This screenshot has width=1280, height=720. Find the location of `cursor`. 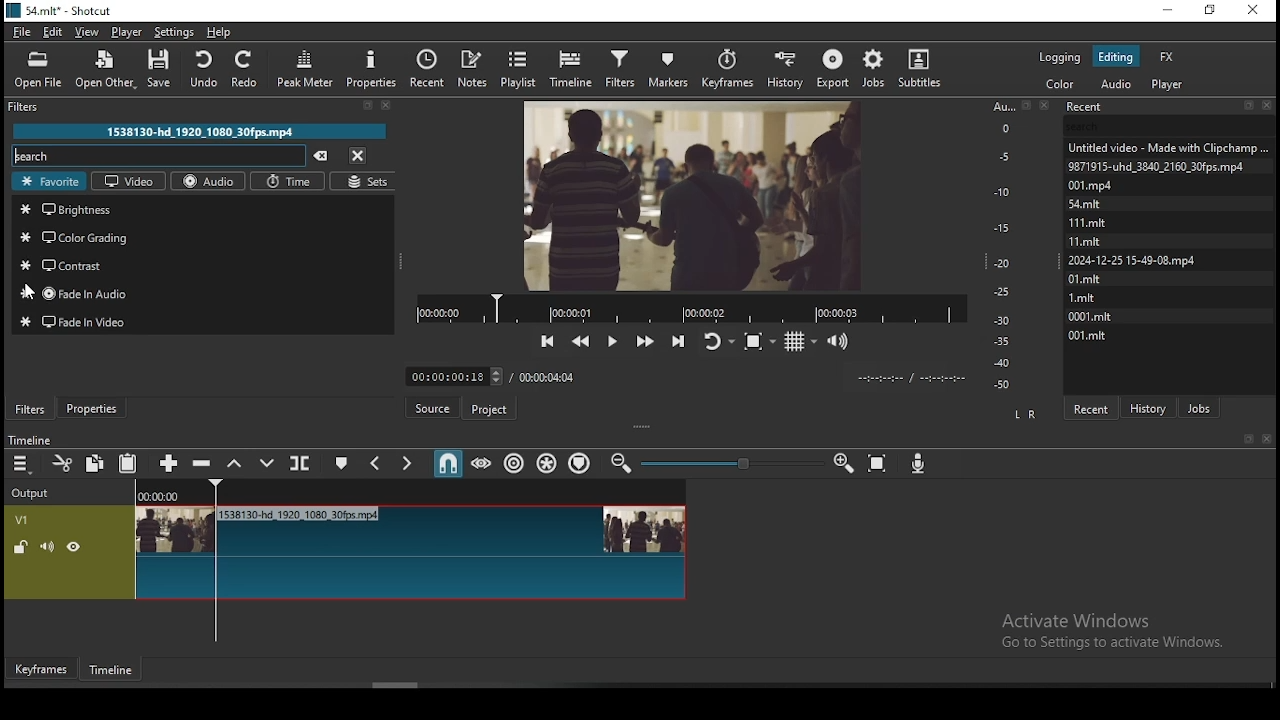

cursor is located at coordinates (31, 292).